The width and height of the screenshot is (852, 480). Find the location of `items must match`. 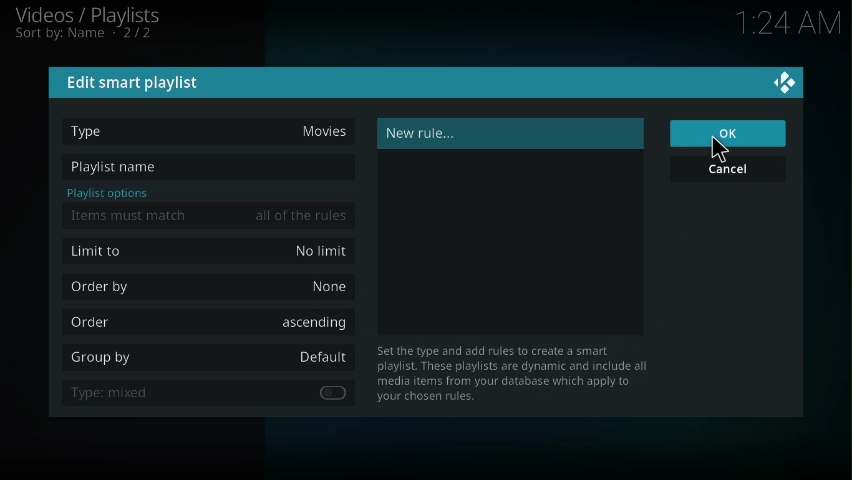

items must match is located at coordinates (131, 215).